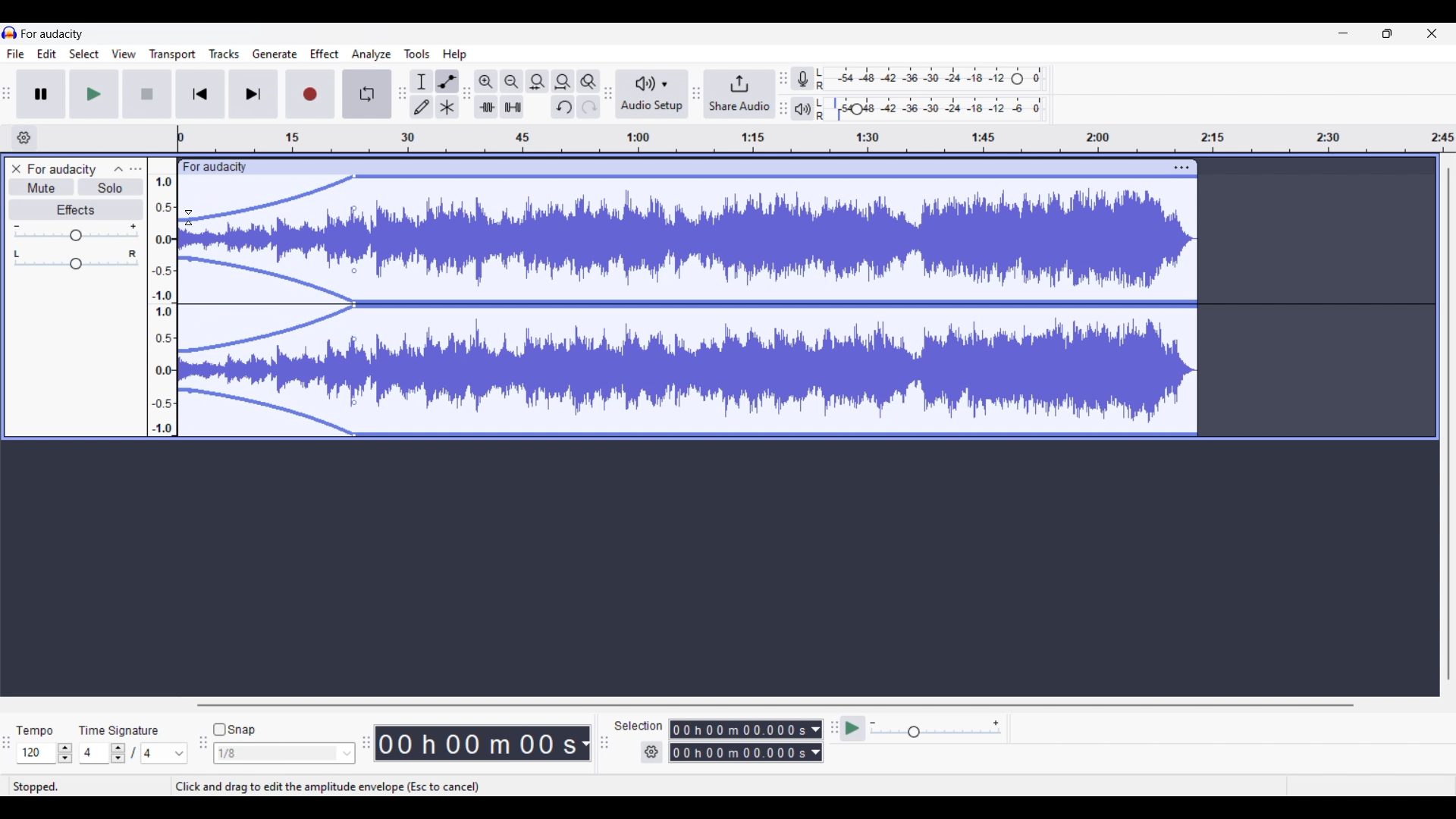 This screenshot has width=1456, height=819. I want to click on Mute, so click(42, 189).